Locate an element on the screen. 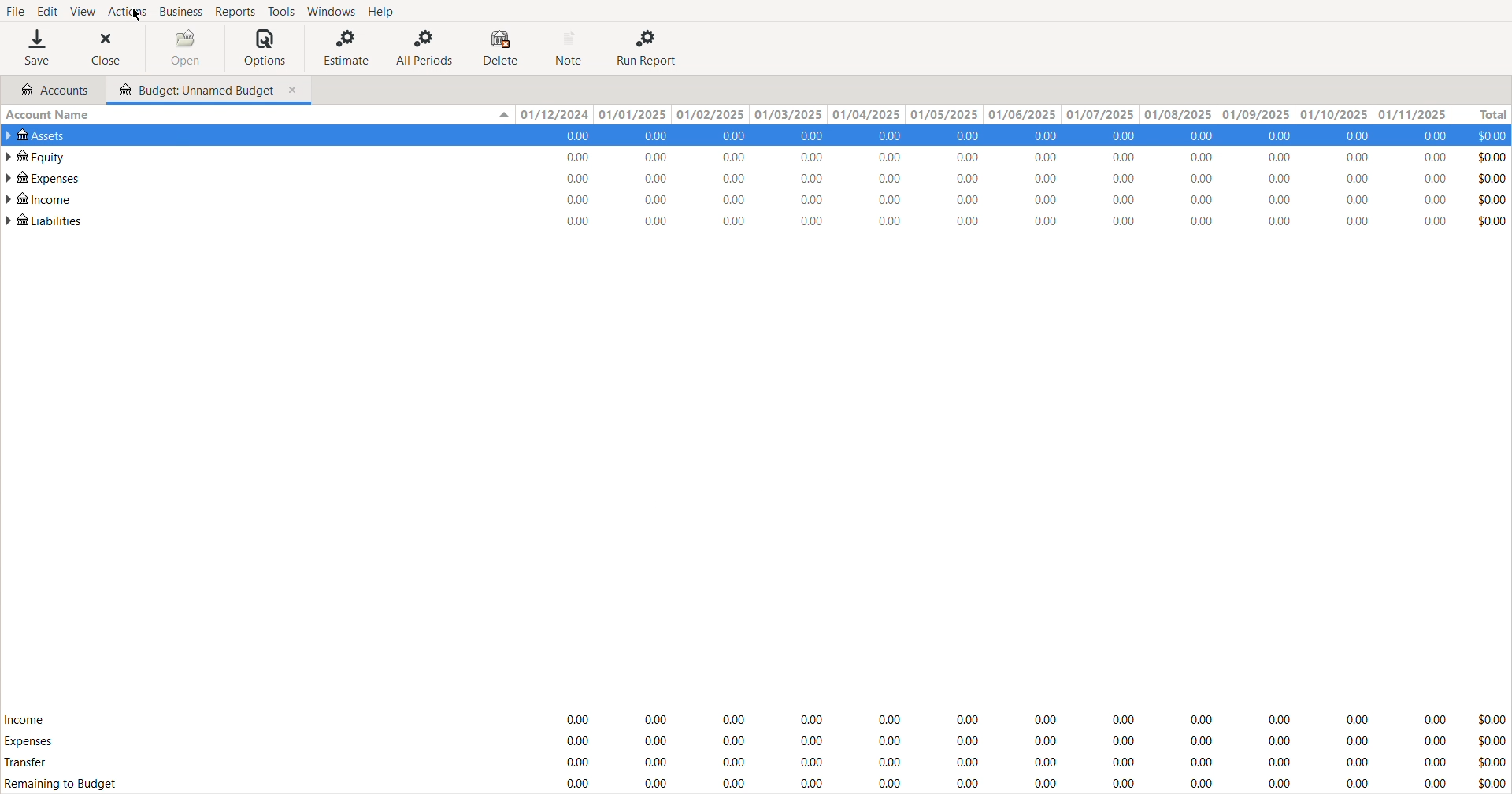 The height and width of the screenshot is (794, 1512). Delete is located at coordinates (504, 48).